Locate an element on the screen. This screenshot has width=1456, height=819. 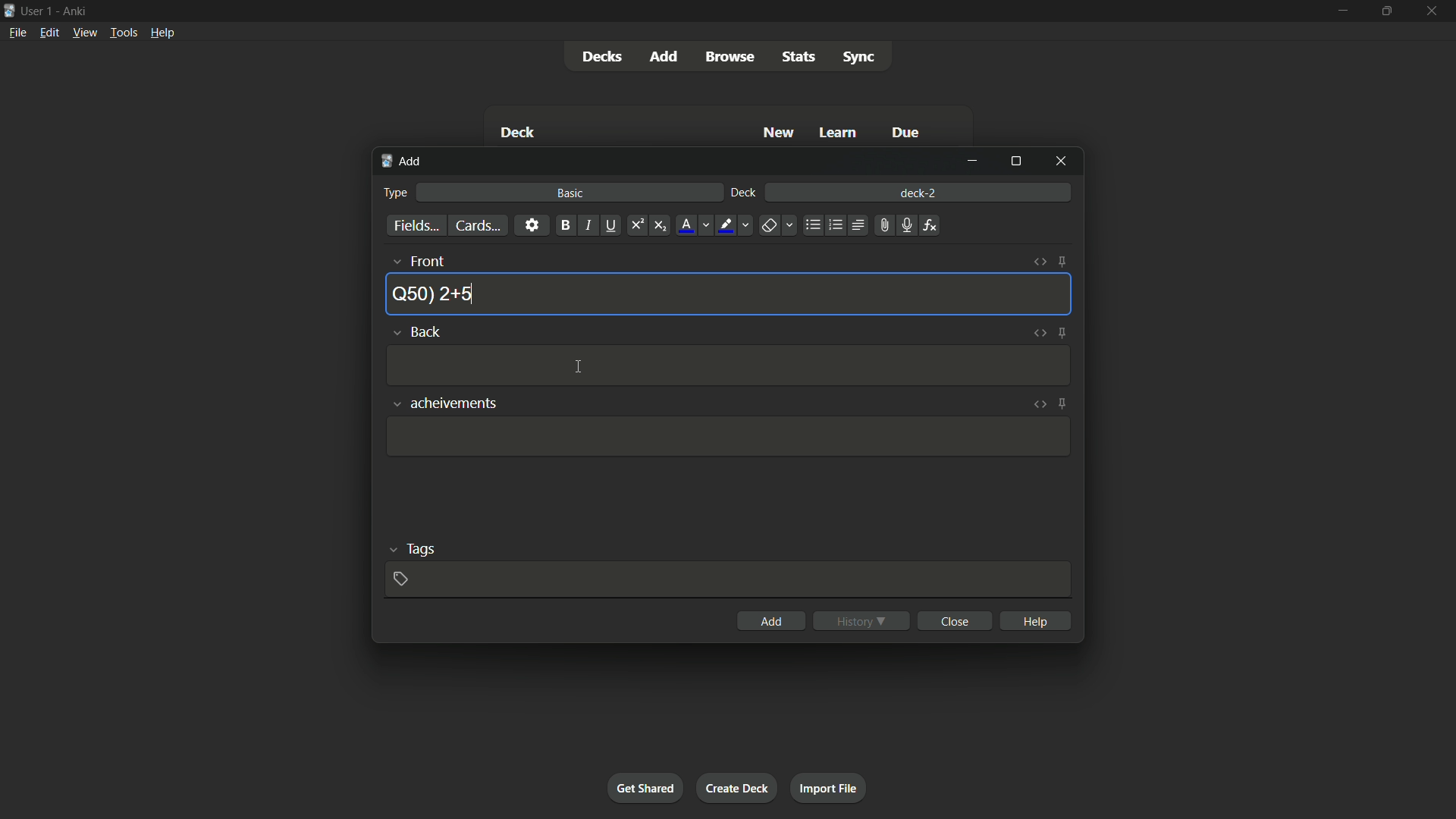
toggle html editor is located at coordinates (1038, 262).